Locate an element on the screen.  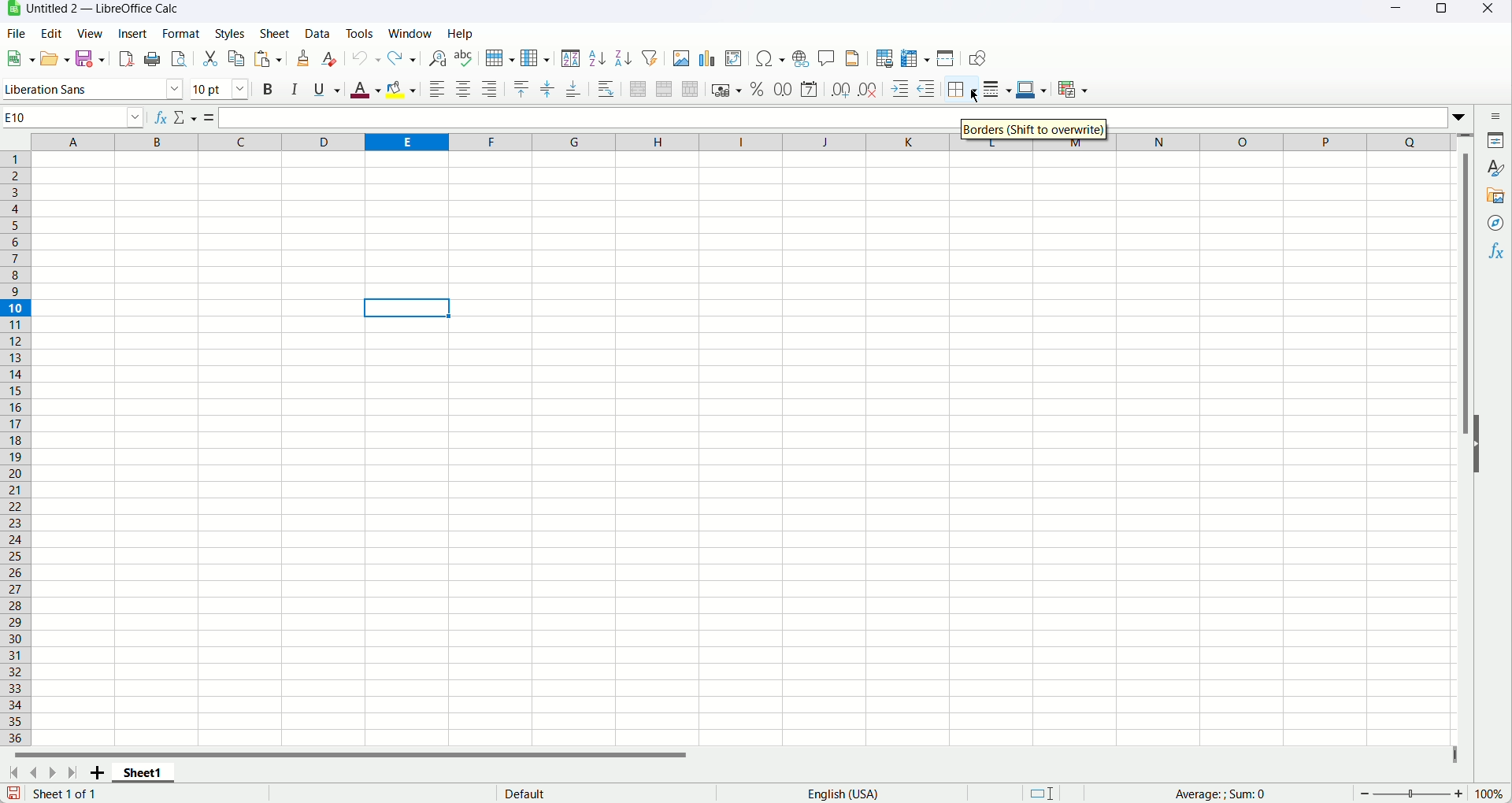
Workspace is located at coordinates (743, 449).